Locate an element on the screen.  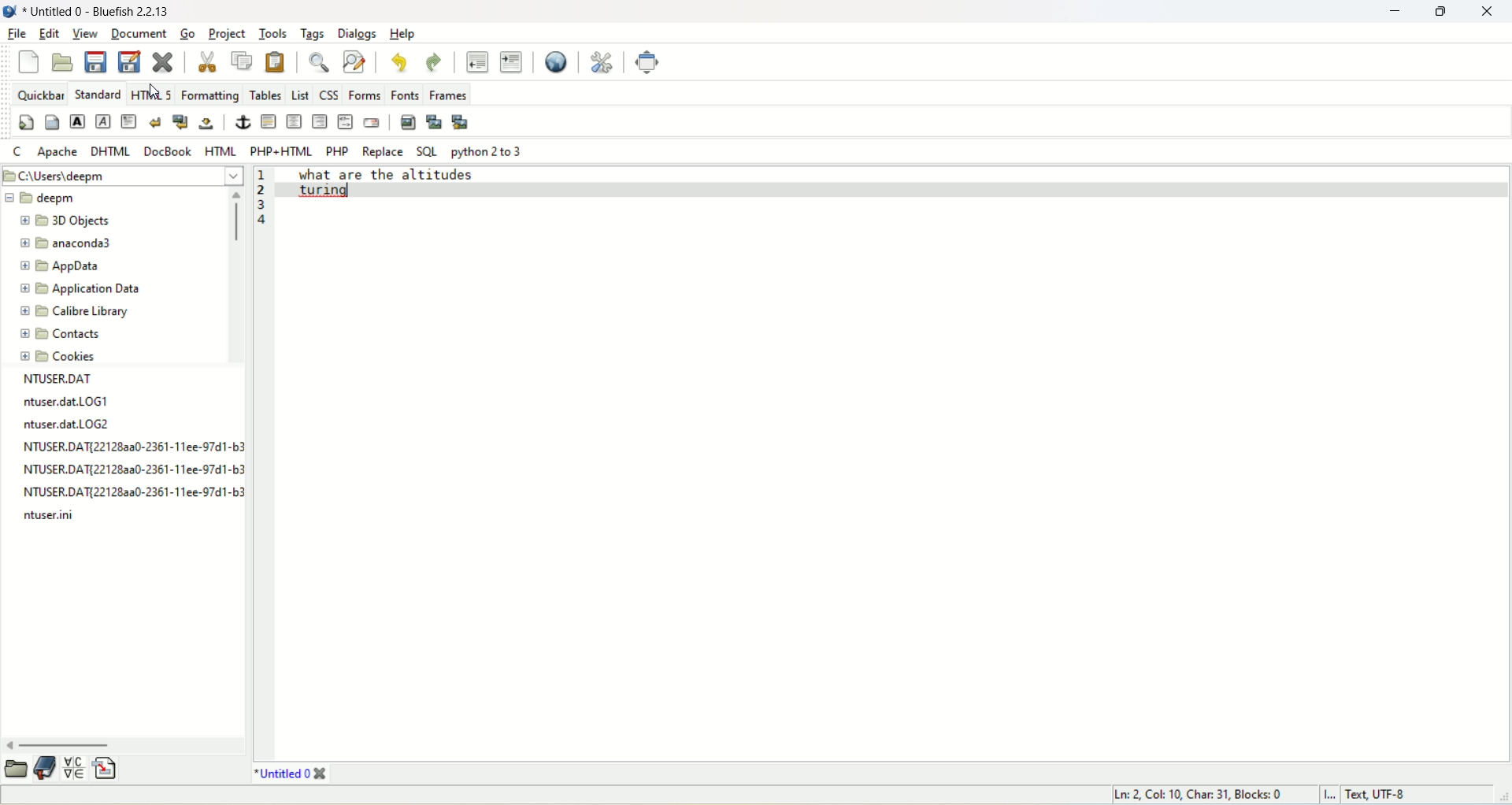
go is located at coordinates (185, 34).